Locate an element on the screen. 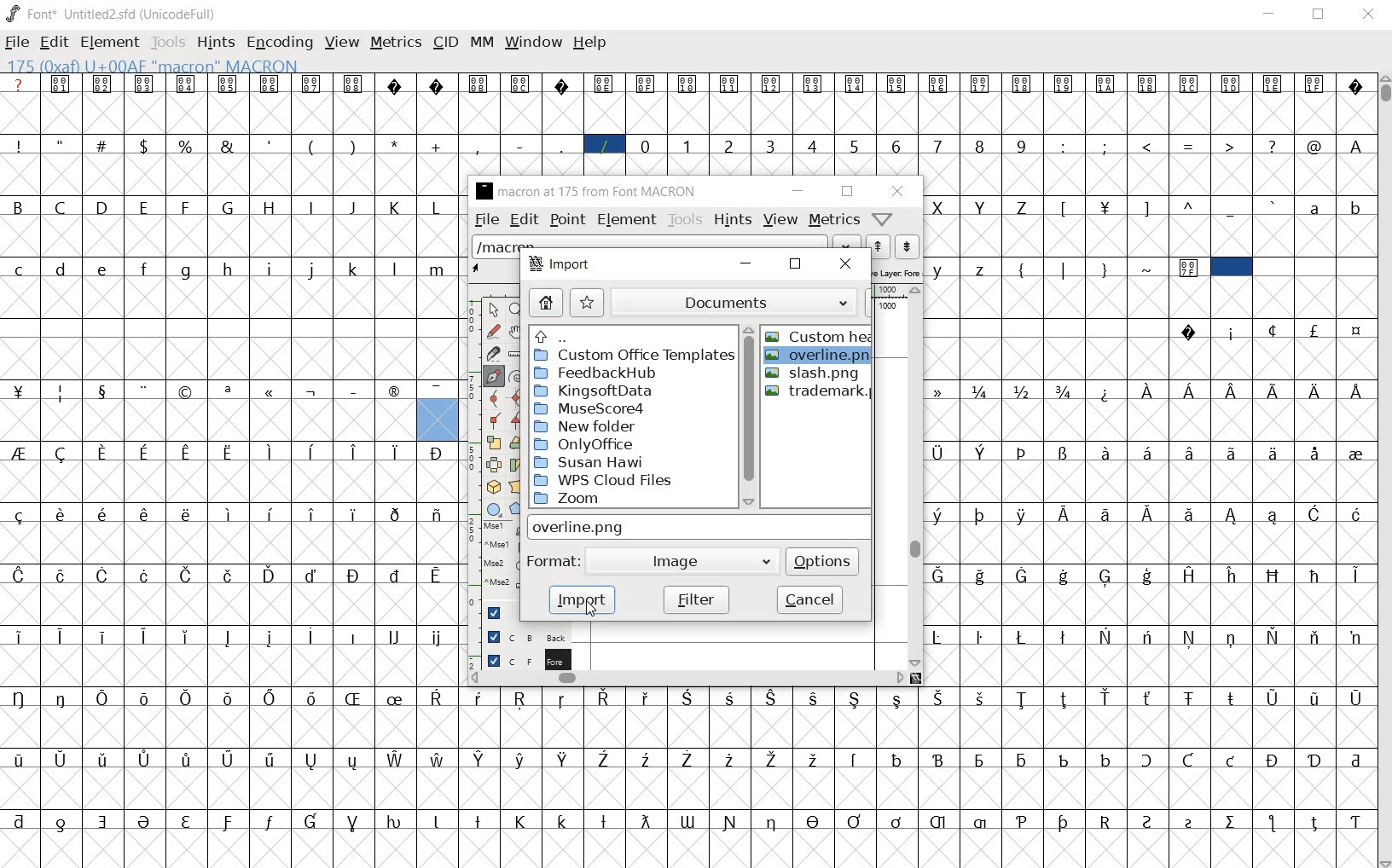 The image size is (1392, 868). Symbol is located at coordinates (1231, 513).